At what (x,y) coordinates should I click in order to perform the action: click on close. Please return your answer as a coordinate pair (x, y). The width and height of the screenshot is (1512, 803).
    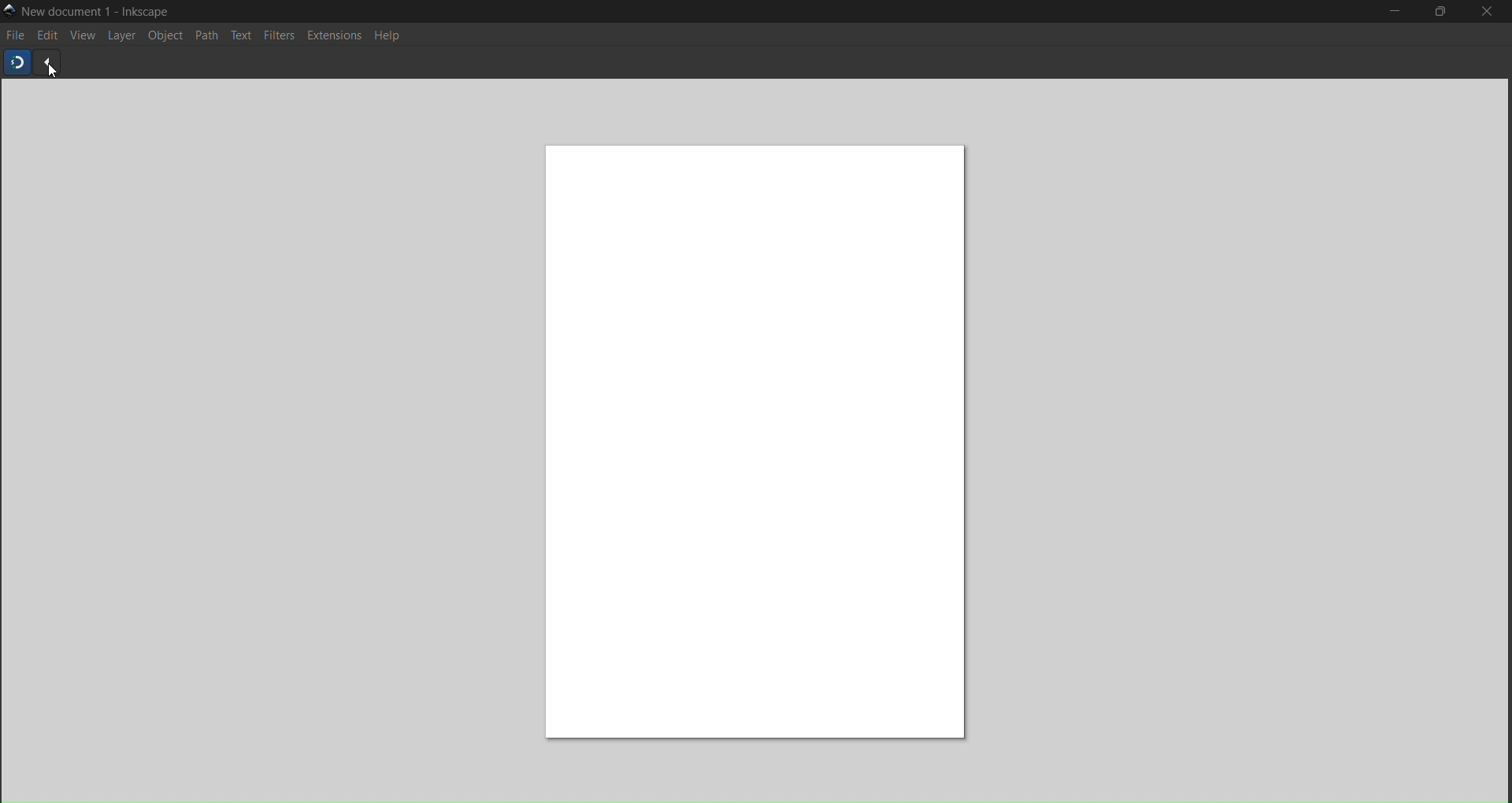
    Looking at the image, I should click on (1484, 13).